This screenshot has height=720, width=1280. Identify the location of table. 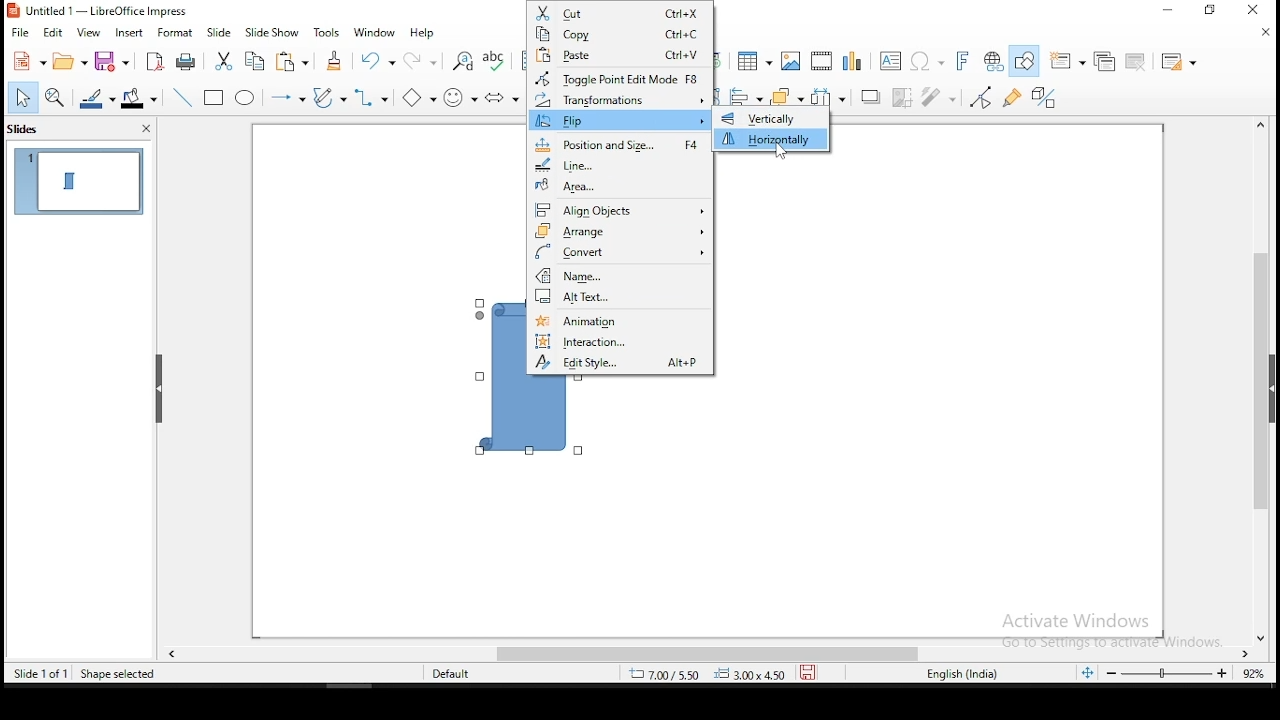
(754, 60).